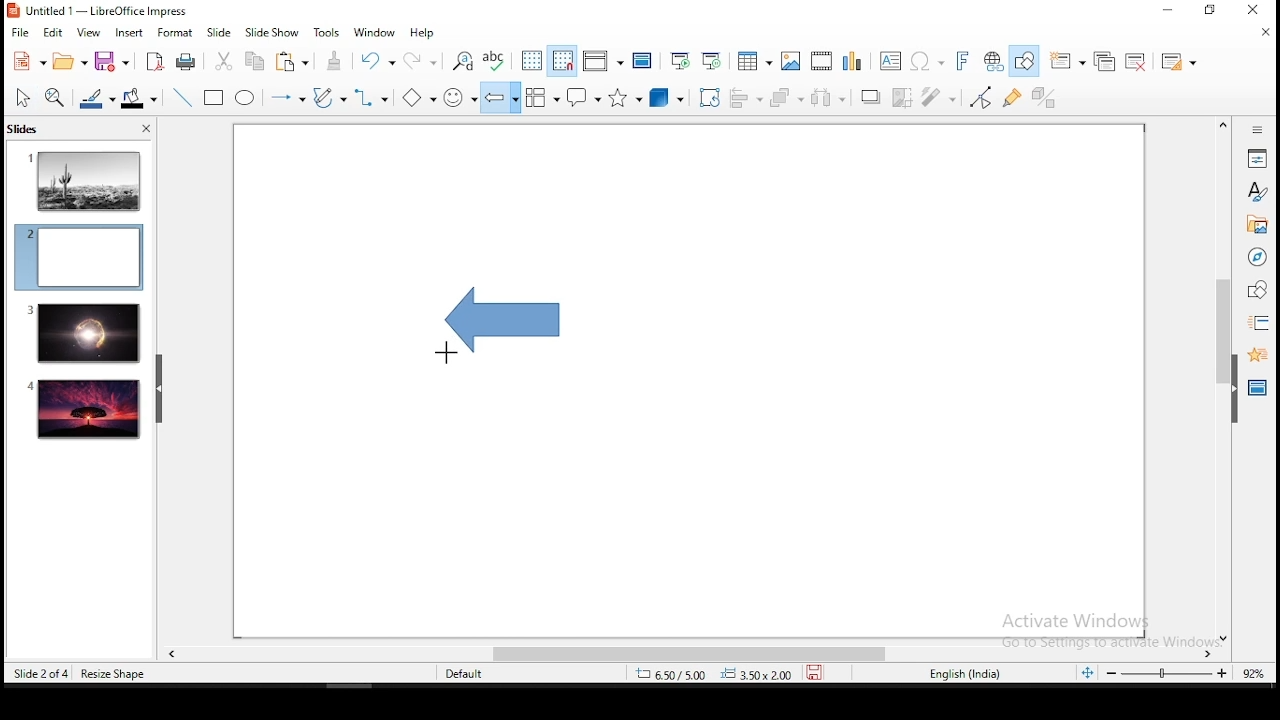 This screenshot has height=720, width=1280. Describe the element at coordinates (1257, 191) in the screenshot. I see `styles` at that location.